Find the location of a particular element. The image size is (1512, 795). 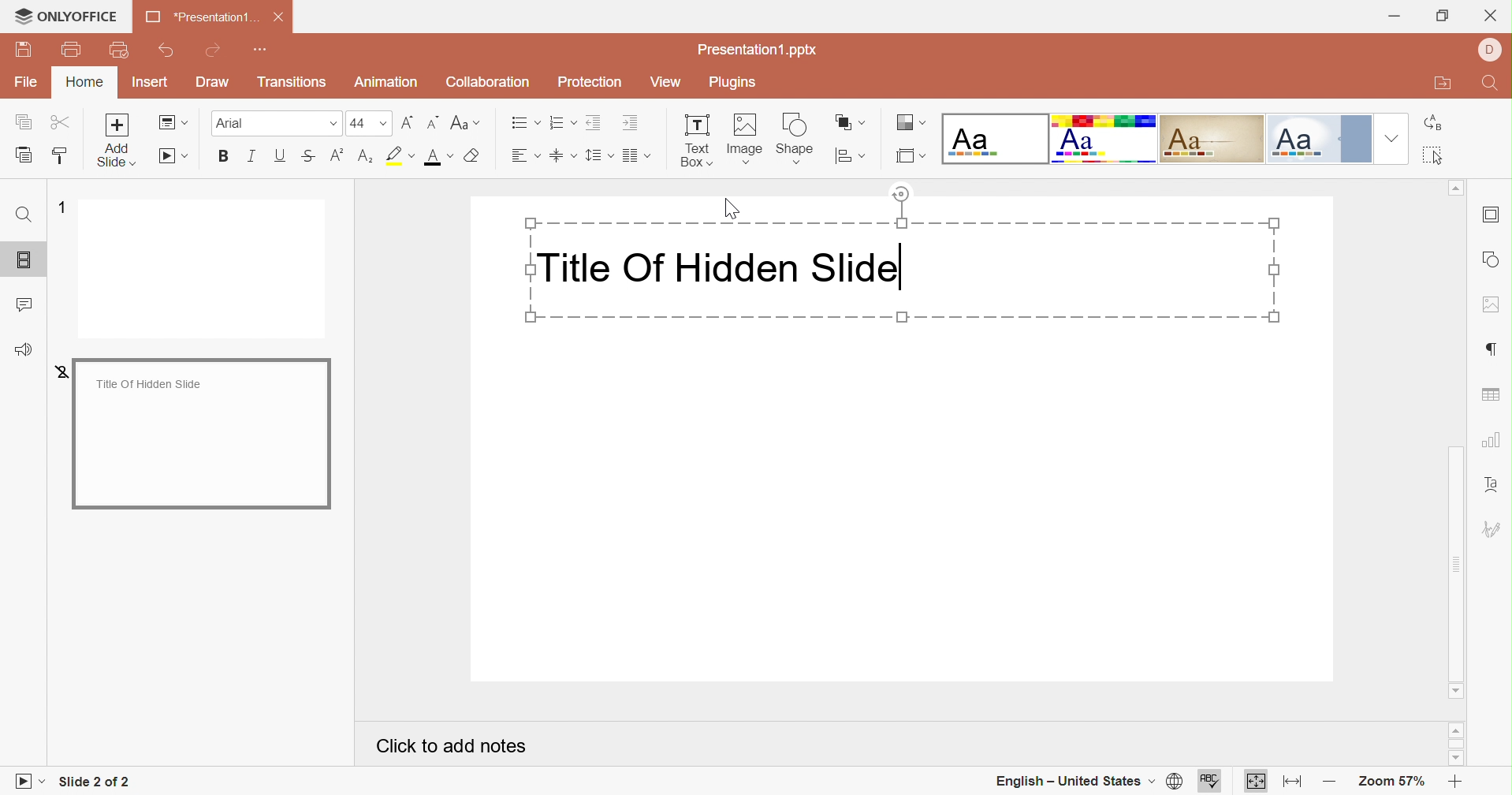

Font is located at coordinates (274, 122).